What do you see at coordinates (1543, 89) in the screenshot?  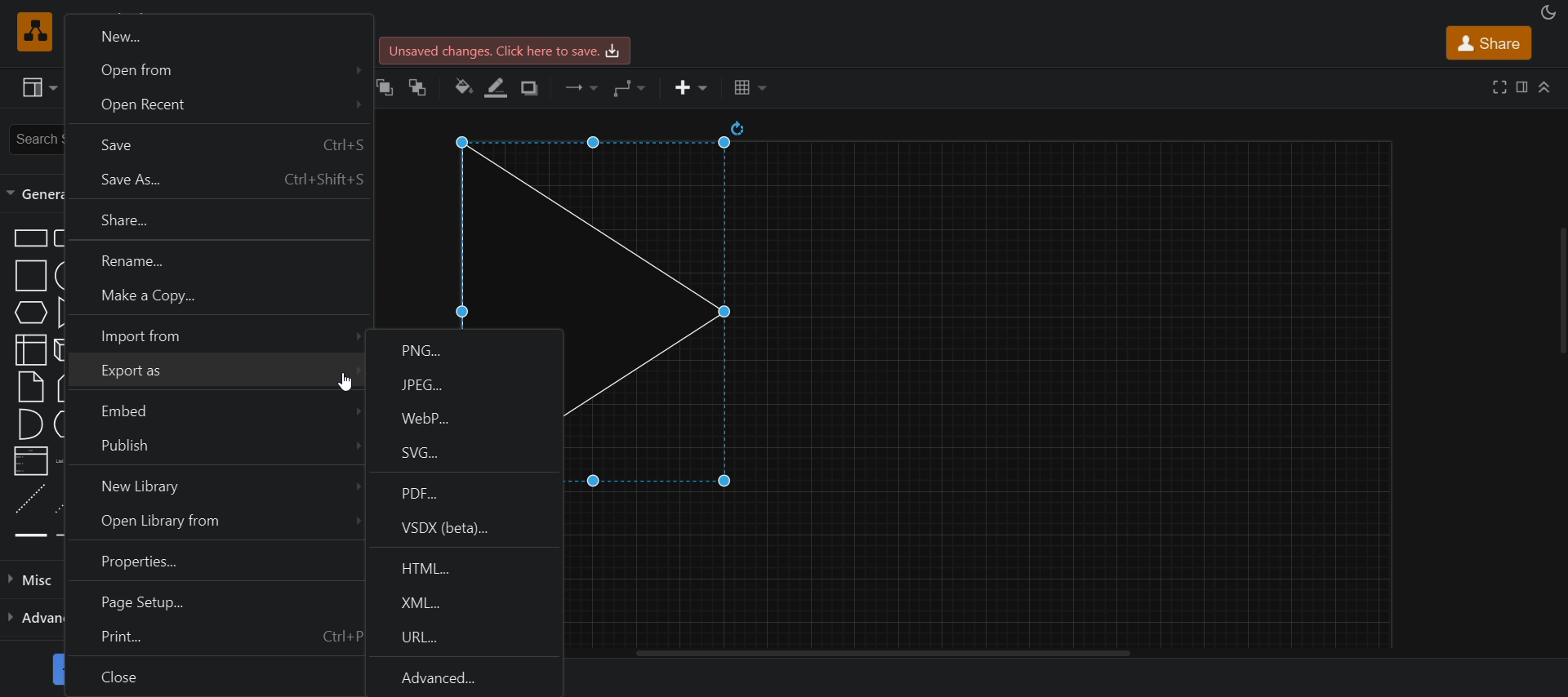 I see `collapase/expand` at bounding box center [1543, 89].